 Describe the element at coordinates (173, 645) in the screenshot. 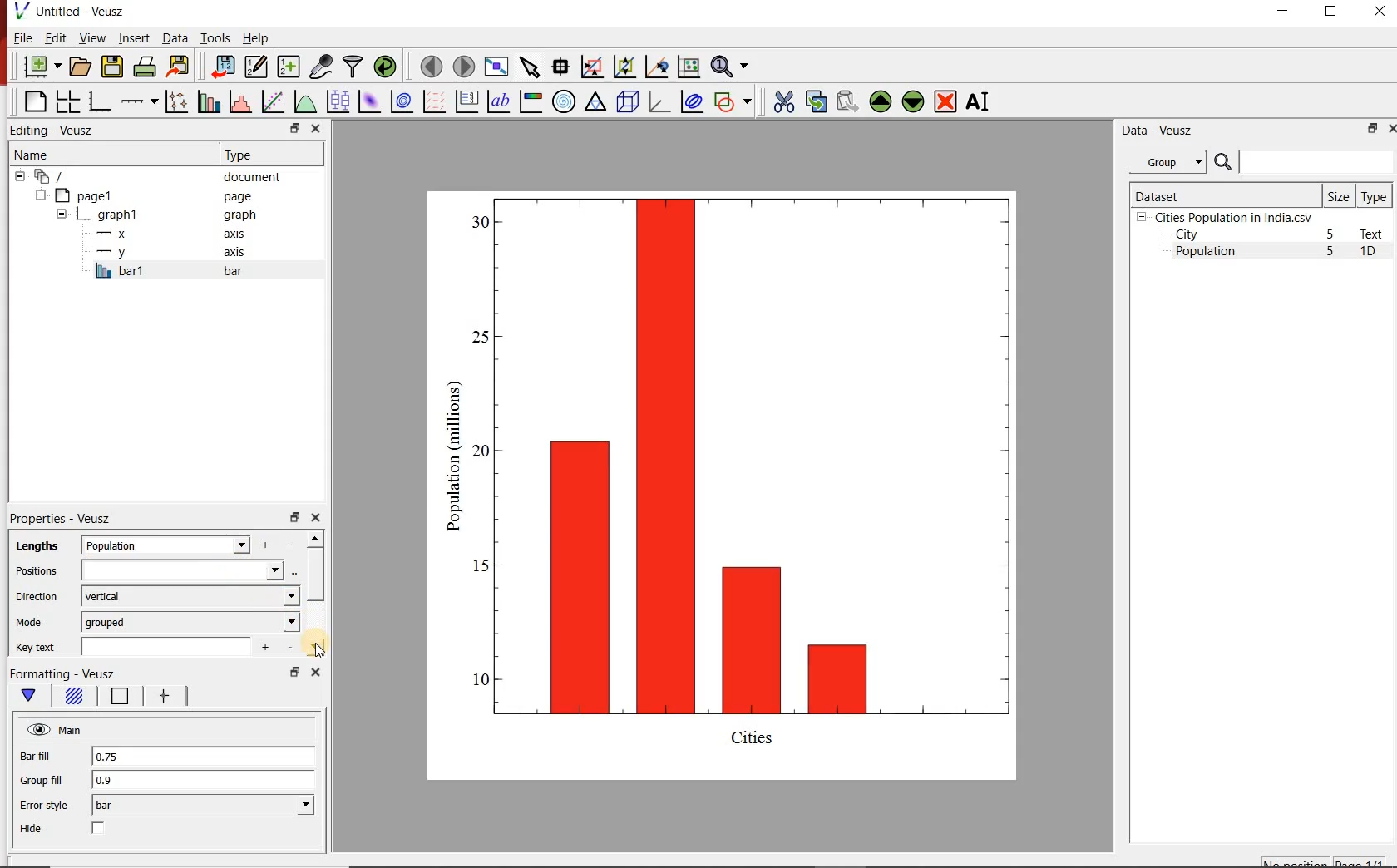

I see `input field` at that location.